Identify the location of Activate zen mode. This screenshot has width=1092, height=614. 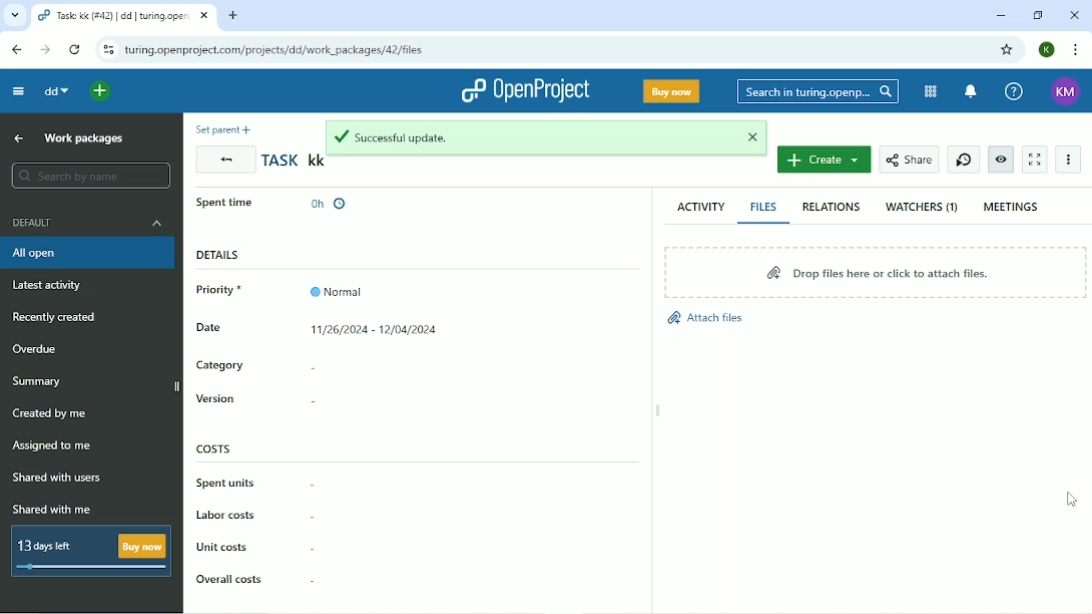
(1036, 160).